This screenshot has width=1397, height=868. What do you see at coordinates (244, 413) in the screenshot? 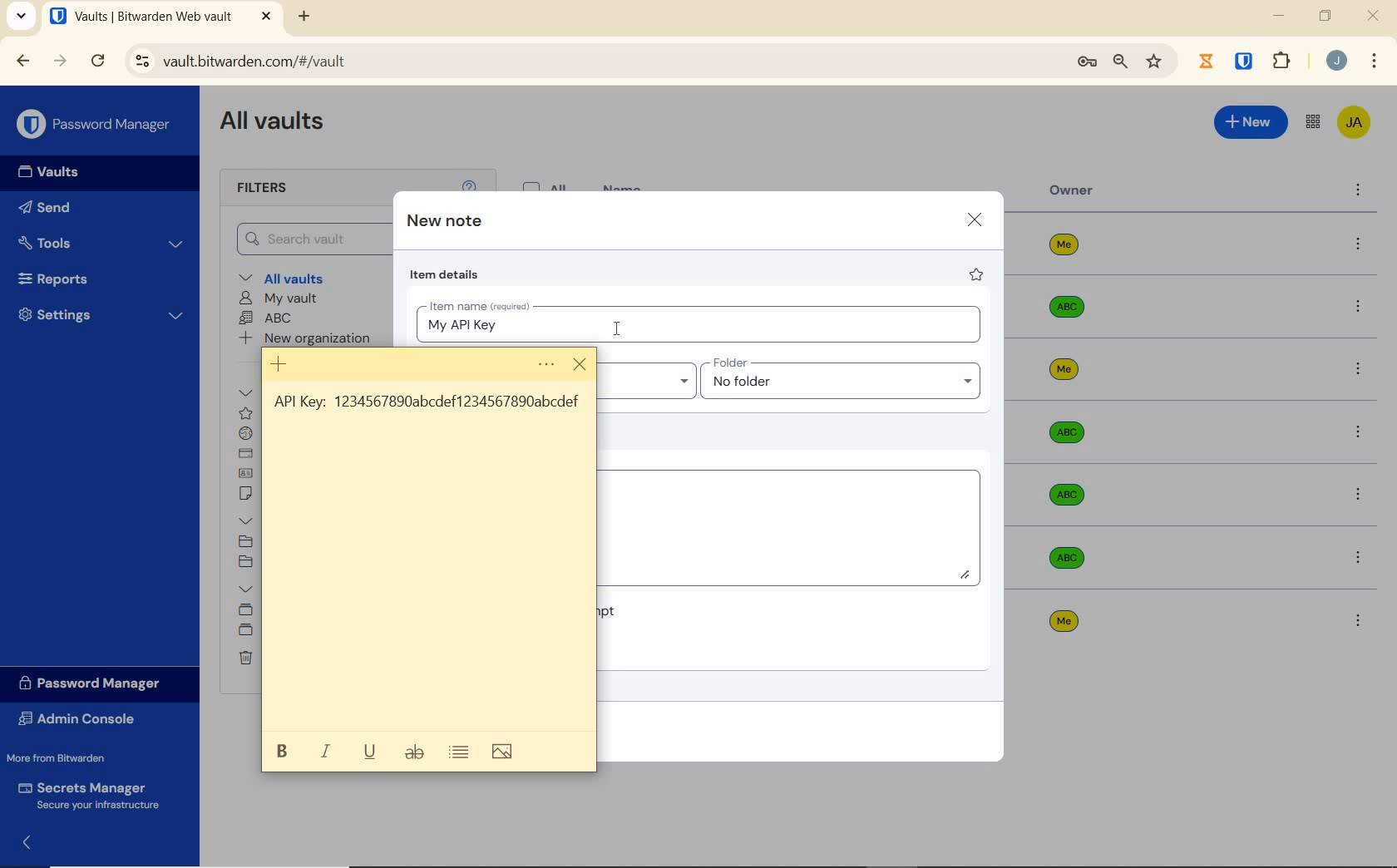
I see `favorites` at bounding box center [244, 413].